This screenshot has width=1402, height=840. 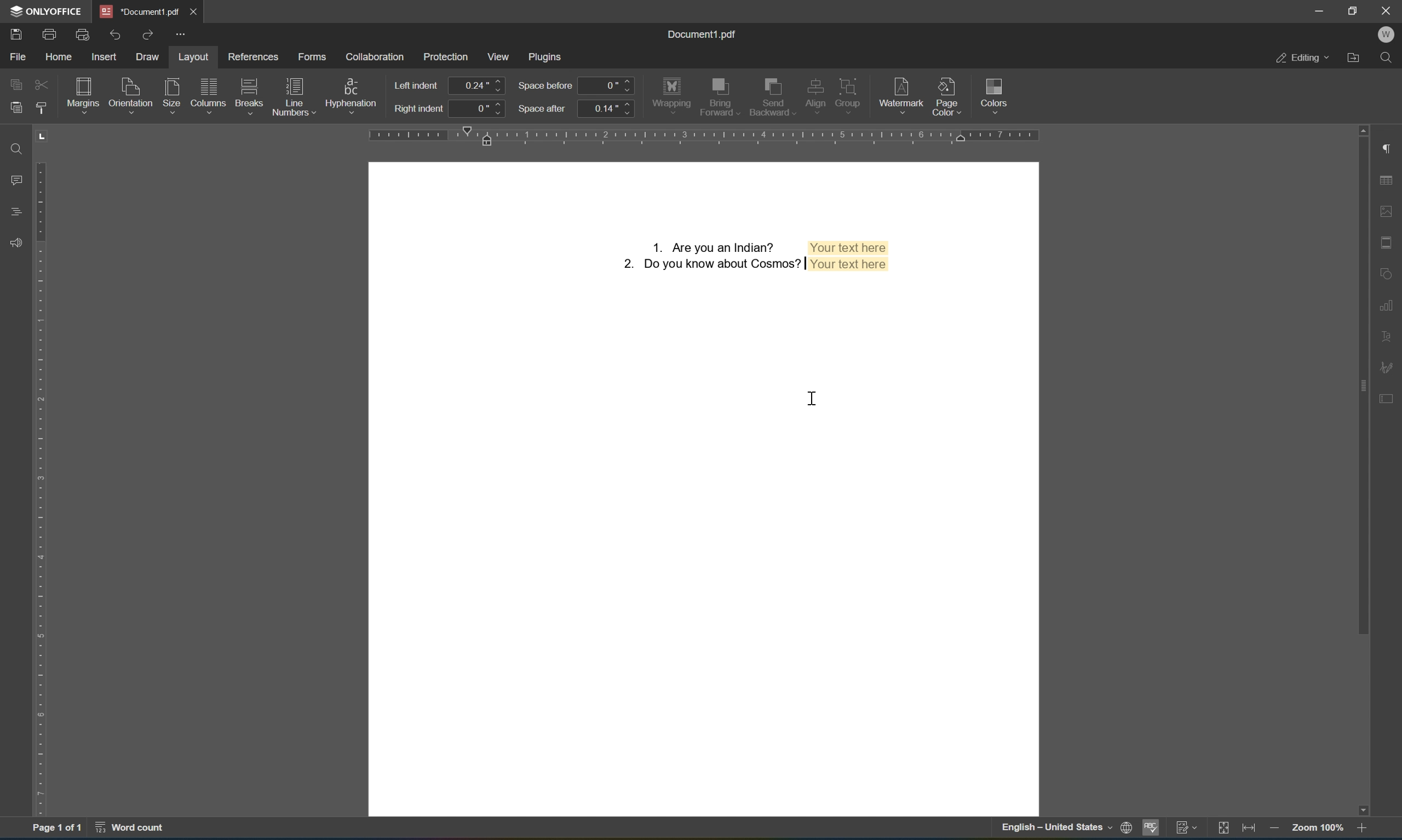 I want to click on undo, so click(x=119, y=34).